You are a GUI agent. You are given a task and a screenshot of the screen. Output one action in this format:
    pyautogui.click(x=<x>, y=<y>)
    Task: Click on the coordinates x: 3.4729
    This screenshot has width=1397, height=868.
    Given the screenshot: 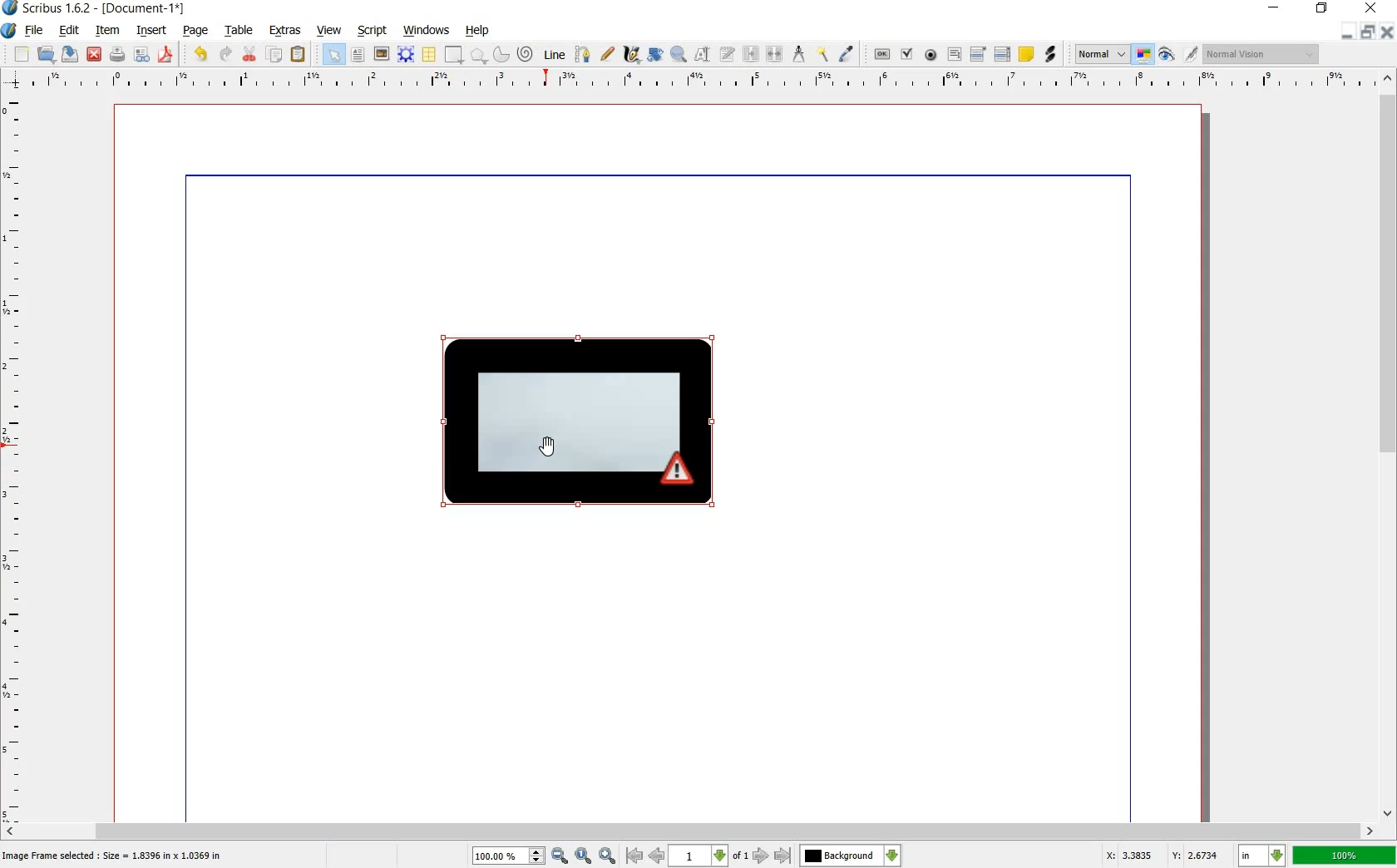 What is the action you would take?
    pyautogui.click(x=1119, y=855)
    